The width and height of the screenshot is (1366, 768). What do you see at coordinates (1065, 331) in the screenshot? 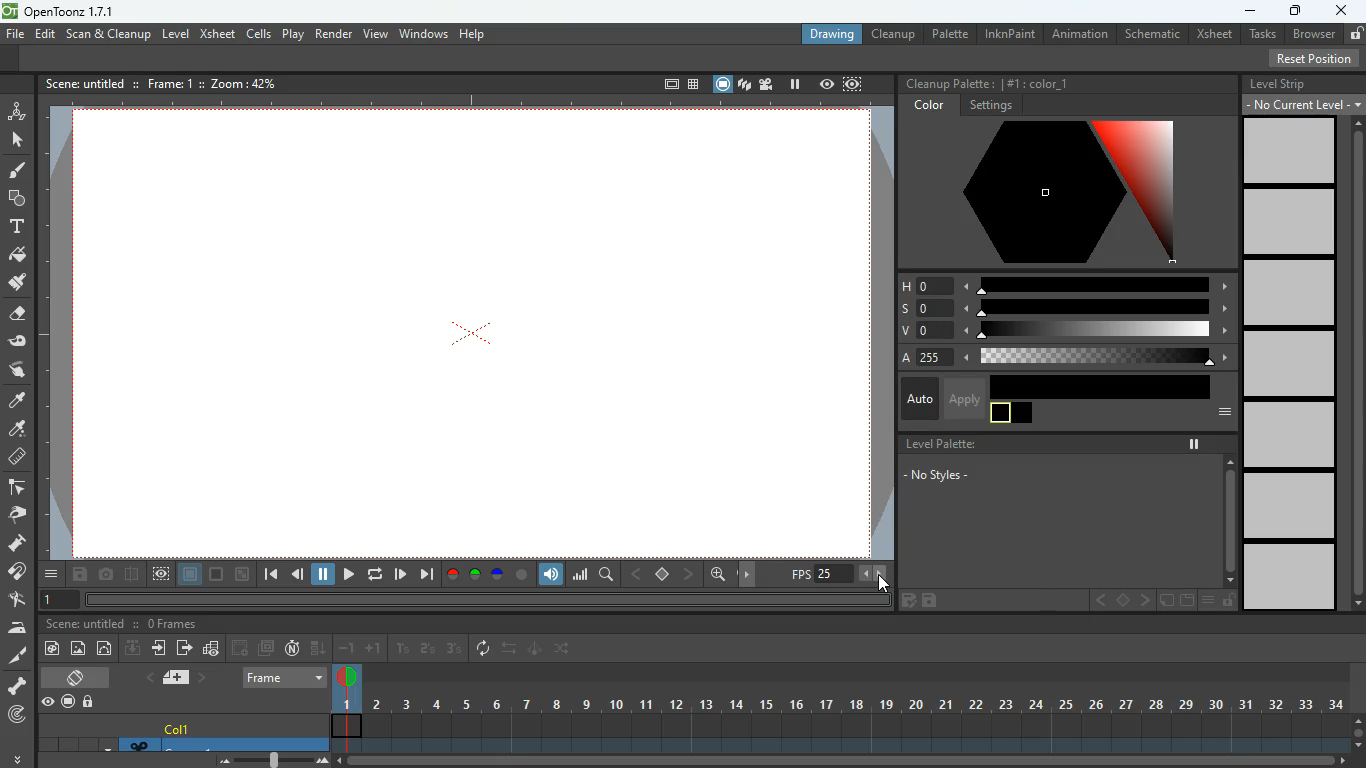
I see `v` at bounding box center [1065, 331].